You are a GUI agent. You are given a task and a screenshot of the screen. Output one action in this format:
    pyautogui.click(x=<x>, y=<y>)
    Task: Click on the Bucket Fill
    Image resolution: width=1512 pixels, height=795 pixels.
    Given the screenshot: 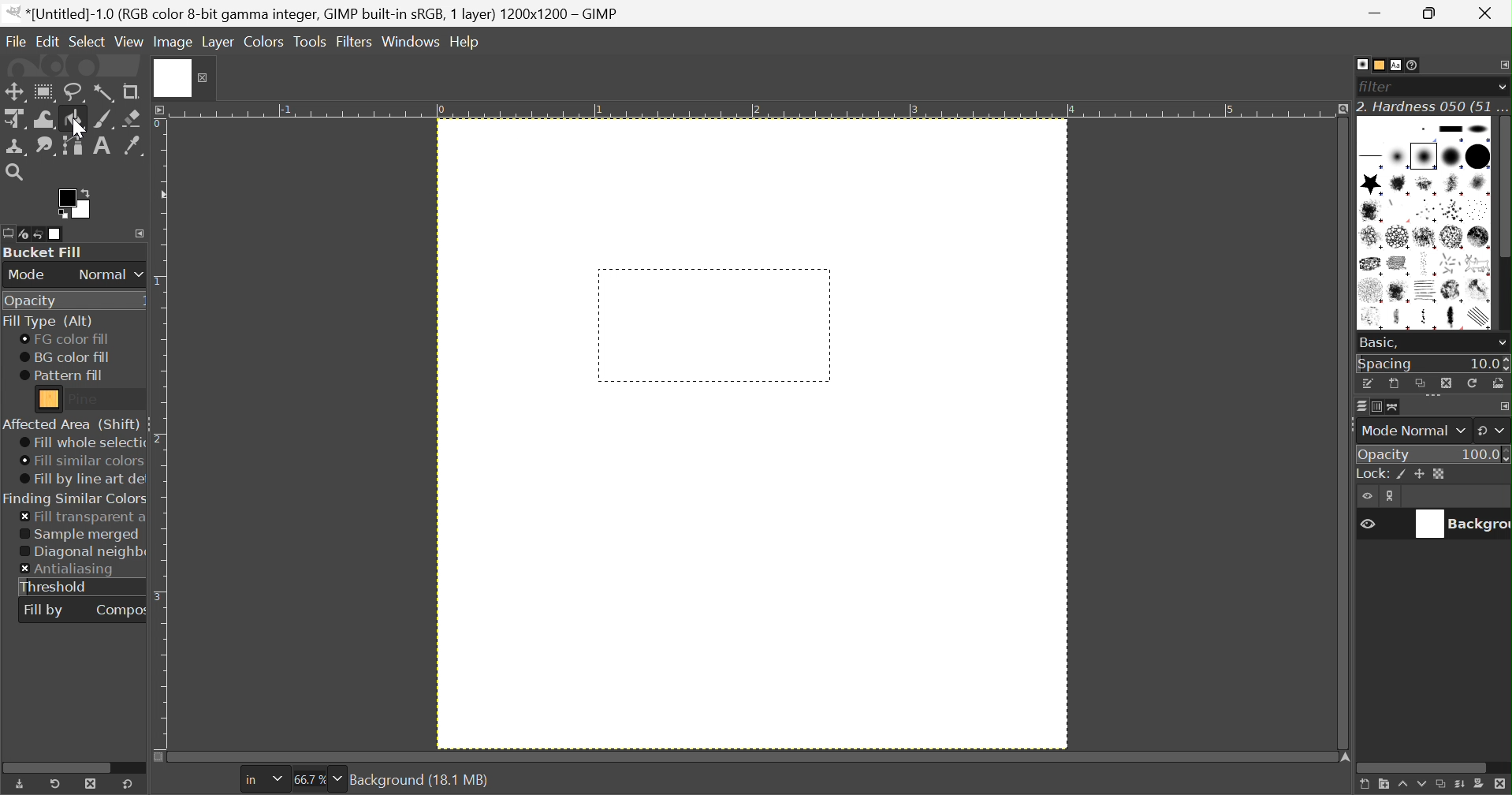 What is the action you would take?
    pyautogui.click(x=45, y=252)
    